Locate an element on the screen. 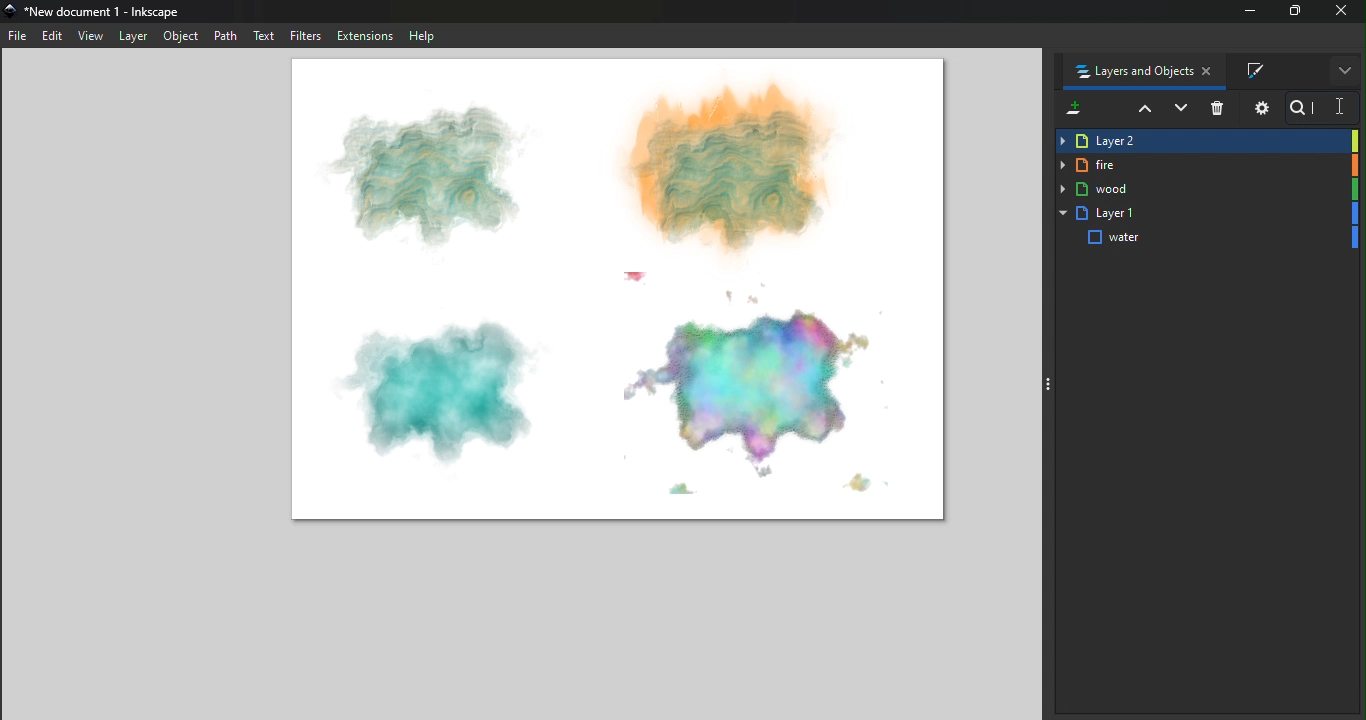 The height and width of the screenshot is (720, 1366). Fill and stroke is located at coordinates (1263, 71).